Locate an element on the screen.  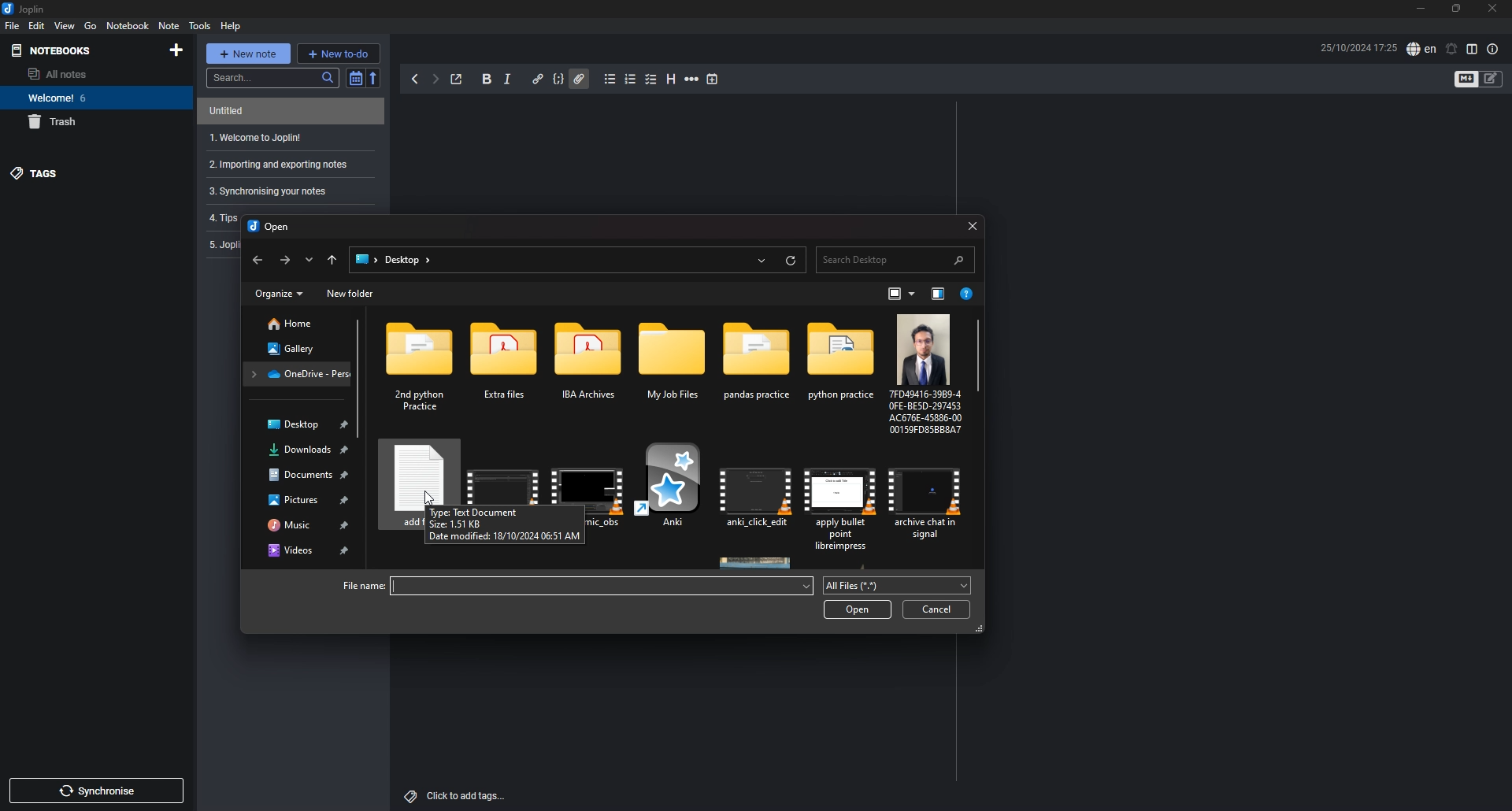
date and time is located at coordinates (1358, 47).